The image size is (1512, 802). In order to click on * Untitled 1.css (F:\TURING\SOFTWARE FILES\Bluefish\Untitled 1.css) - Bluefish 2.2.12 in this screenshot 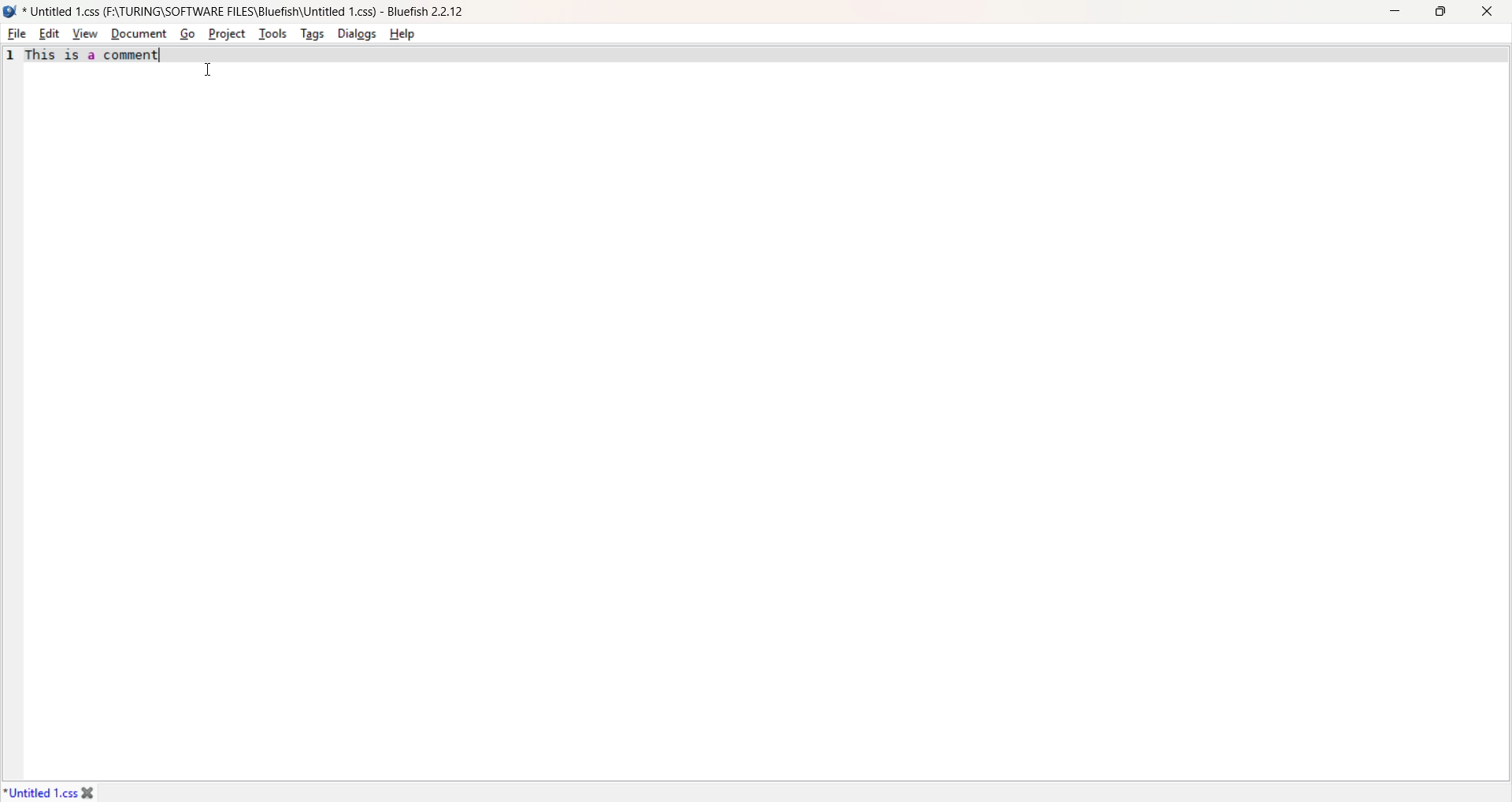, I will do `click(246, 11)`.